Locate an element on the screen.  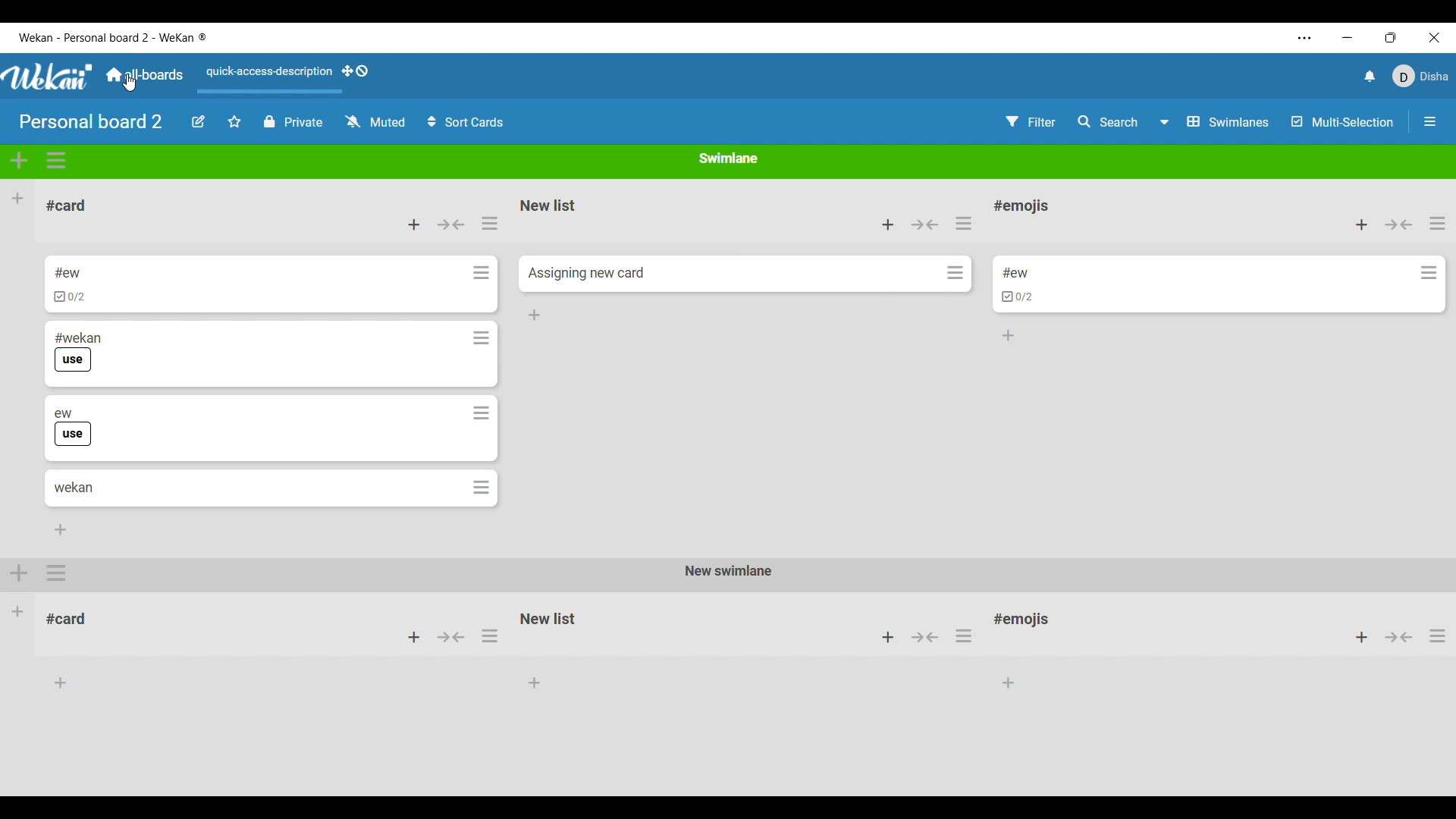
Card name is located at coordinates (69, 273).